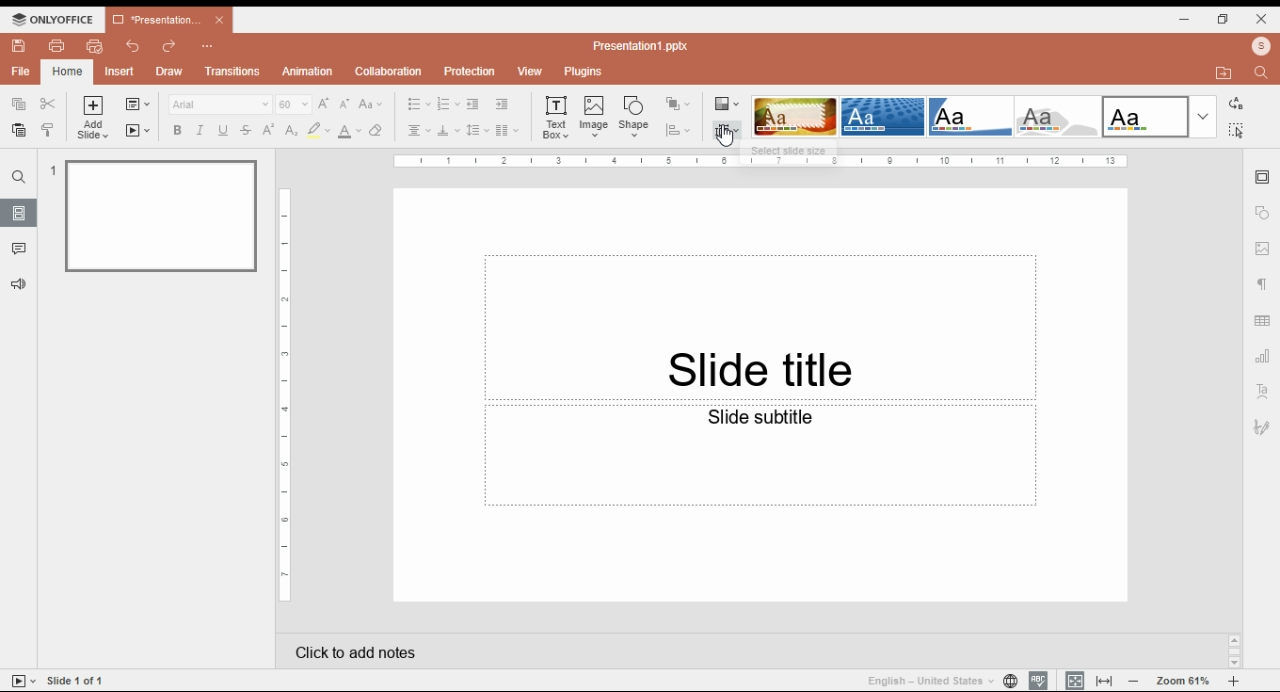 The image size is (1280, 692). I want to click on Arial, so click(219, 104).